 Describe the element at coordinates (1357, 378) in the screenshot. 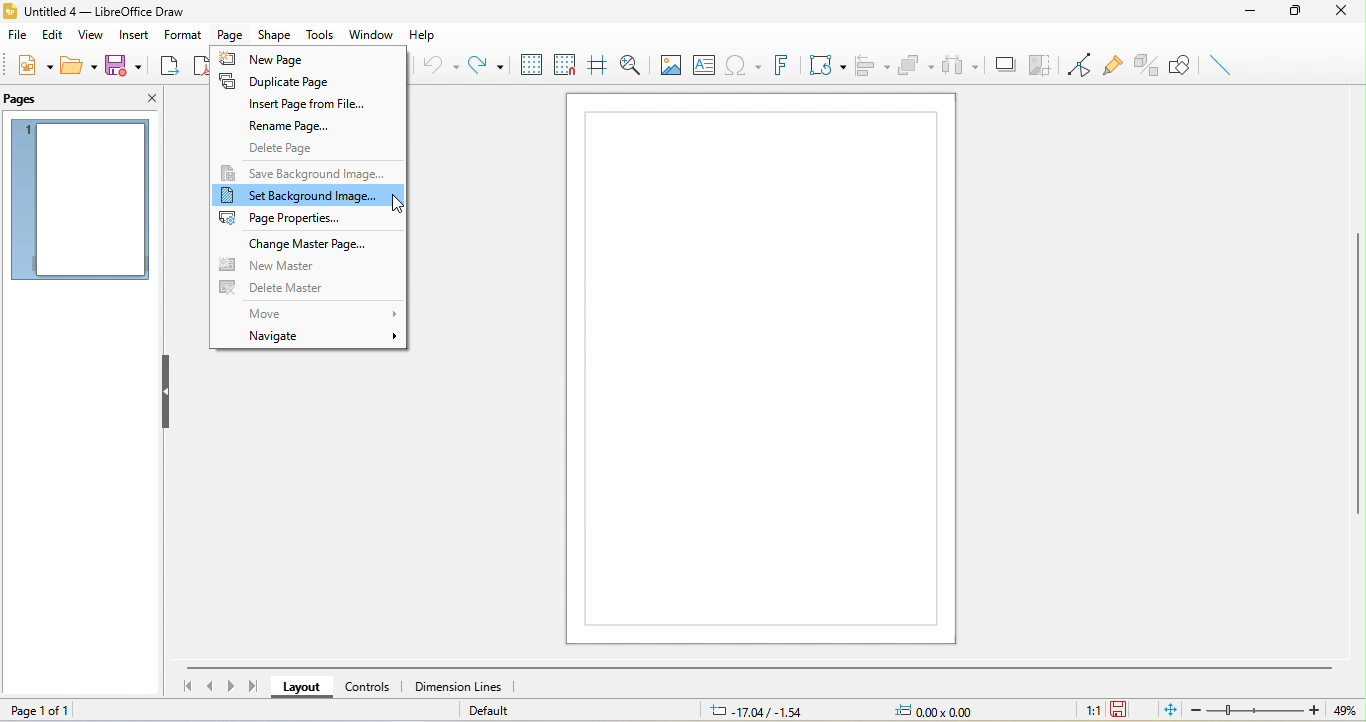

I see `vertical scroll bar` at that location.